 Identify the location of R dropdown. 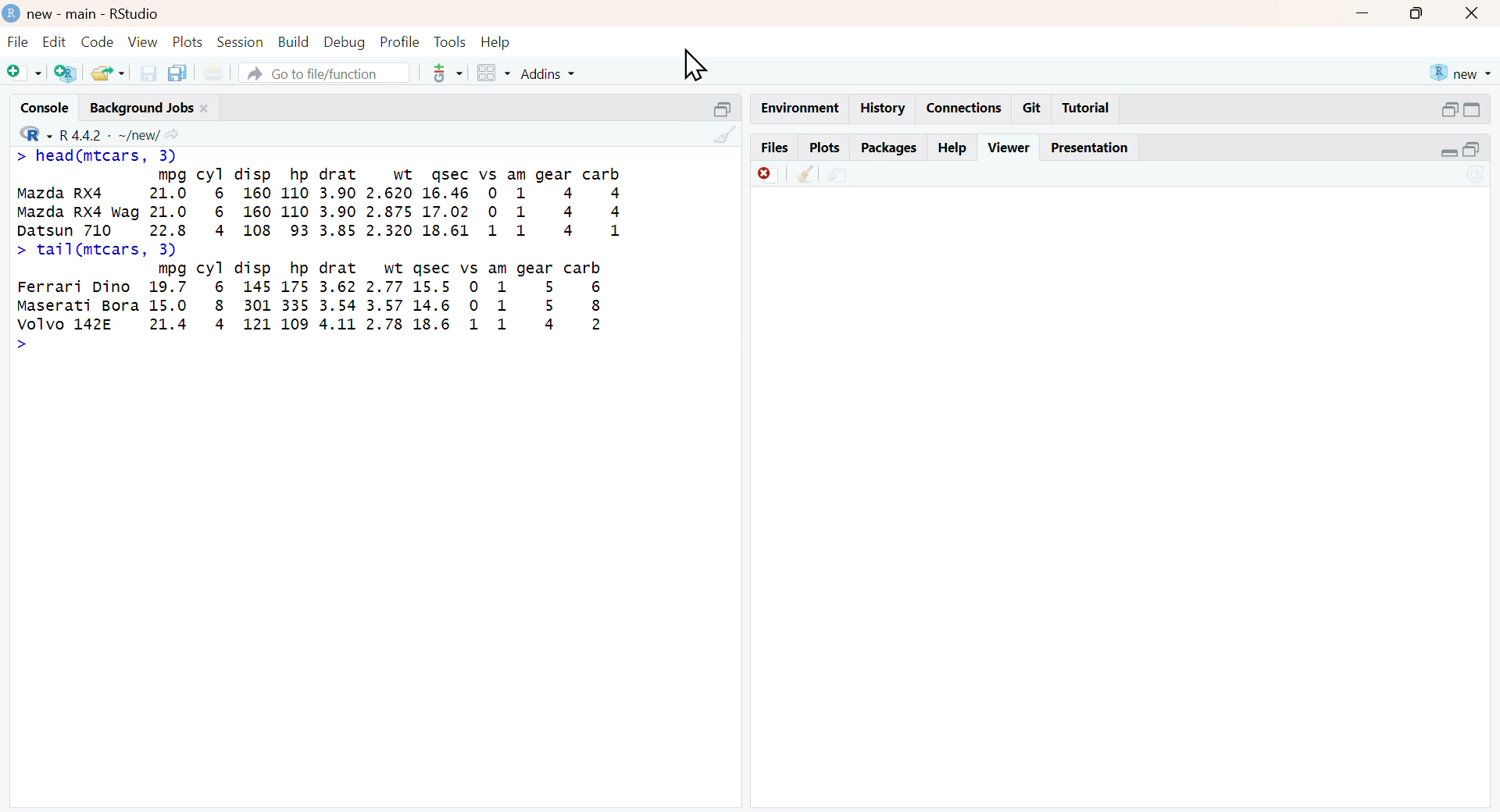
(20, 133).